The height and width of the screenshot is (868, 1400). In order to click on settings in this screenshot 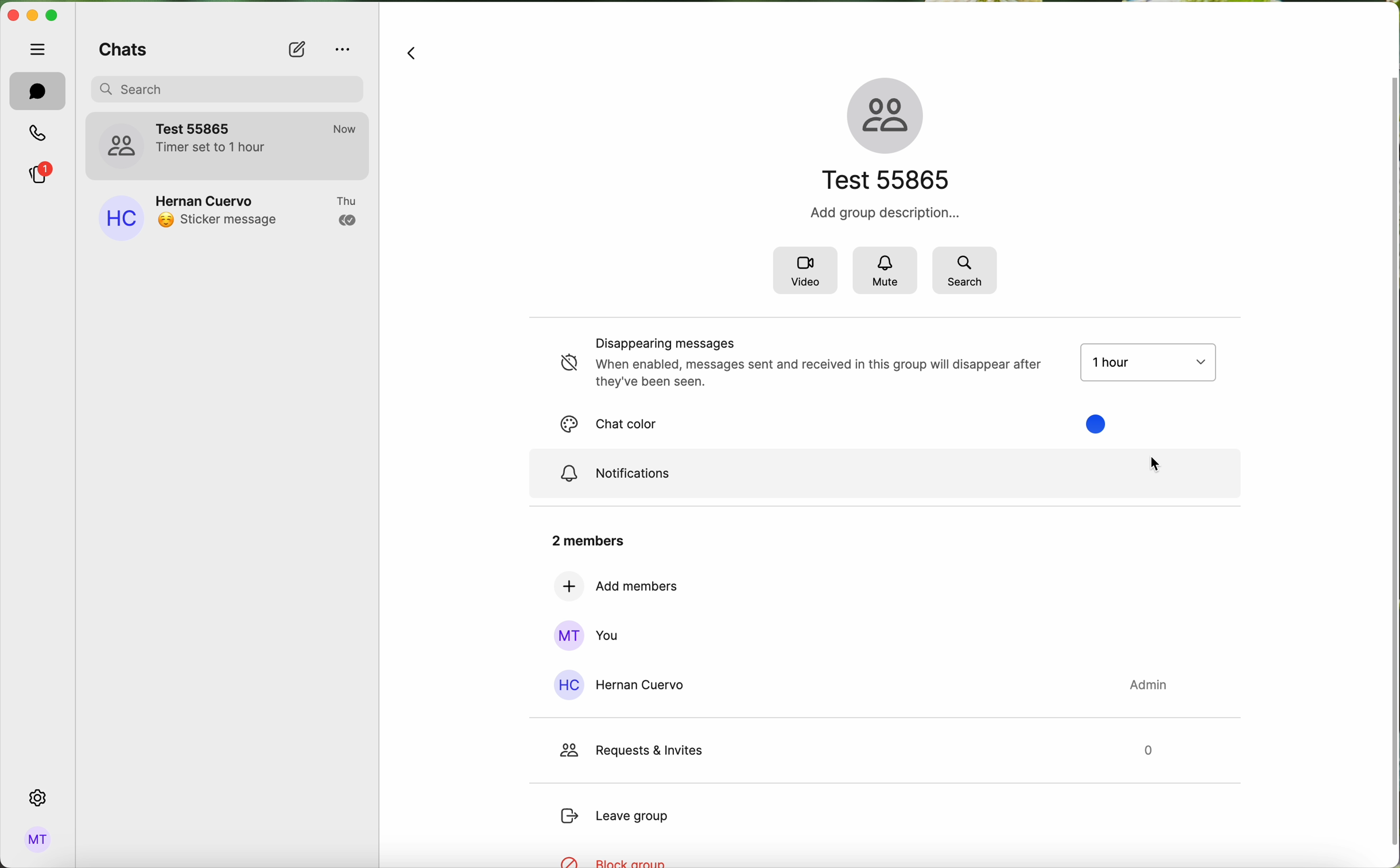, I will do `click(37, 798)`.